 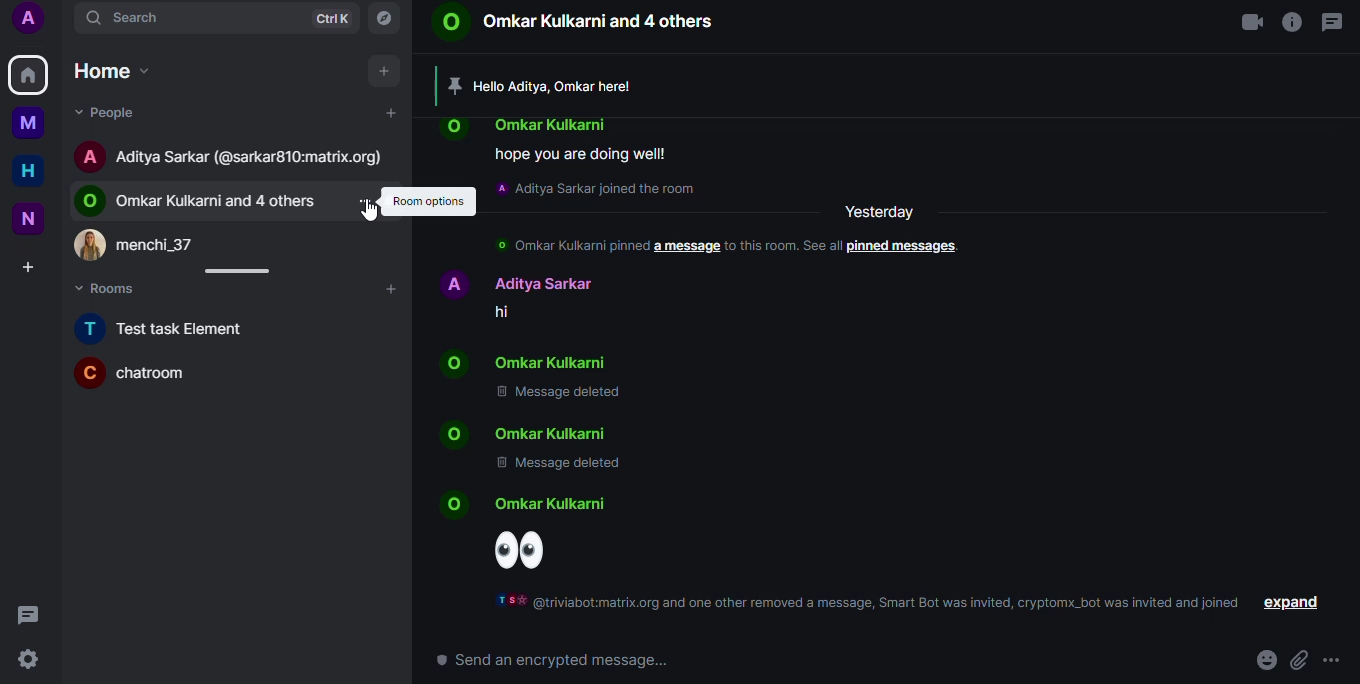 I want to click on info, so click(x=781, y=246).